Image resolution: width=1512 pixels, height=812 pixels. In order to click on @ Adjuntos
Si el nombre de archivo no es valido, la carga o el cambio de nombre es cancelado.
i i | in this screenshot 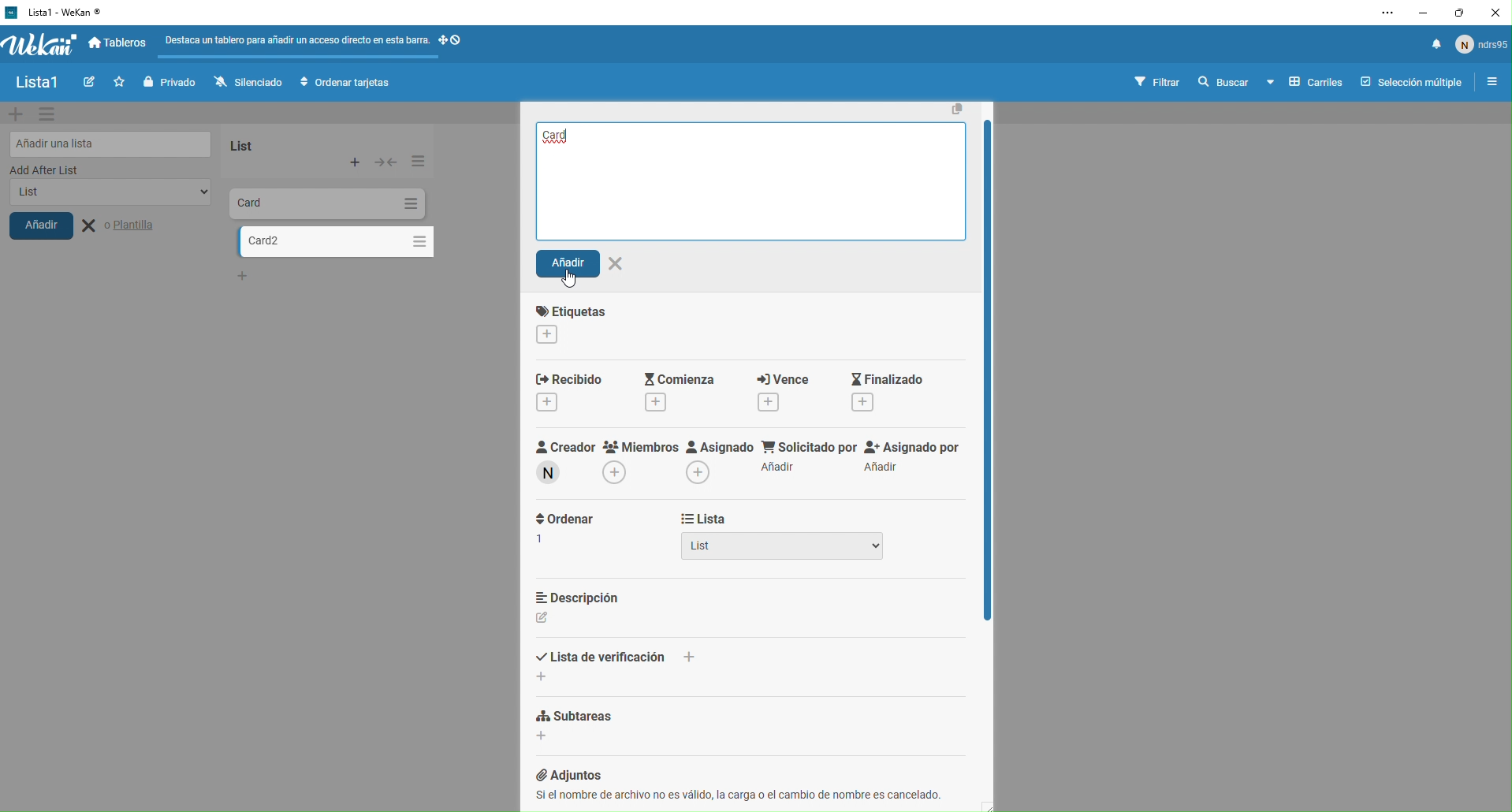, I will do `click(760, 780)`.